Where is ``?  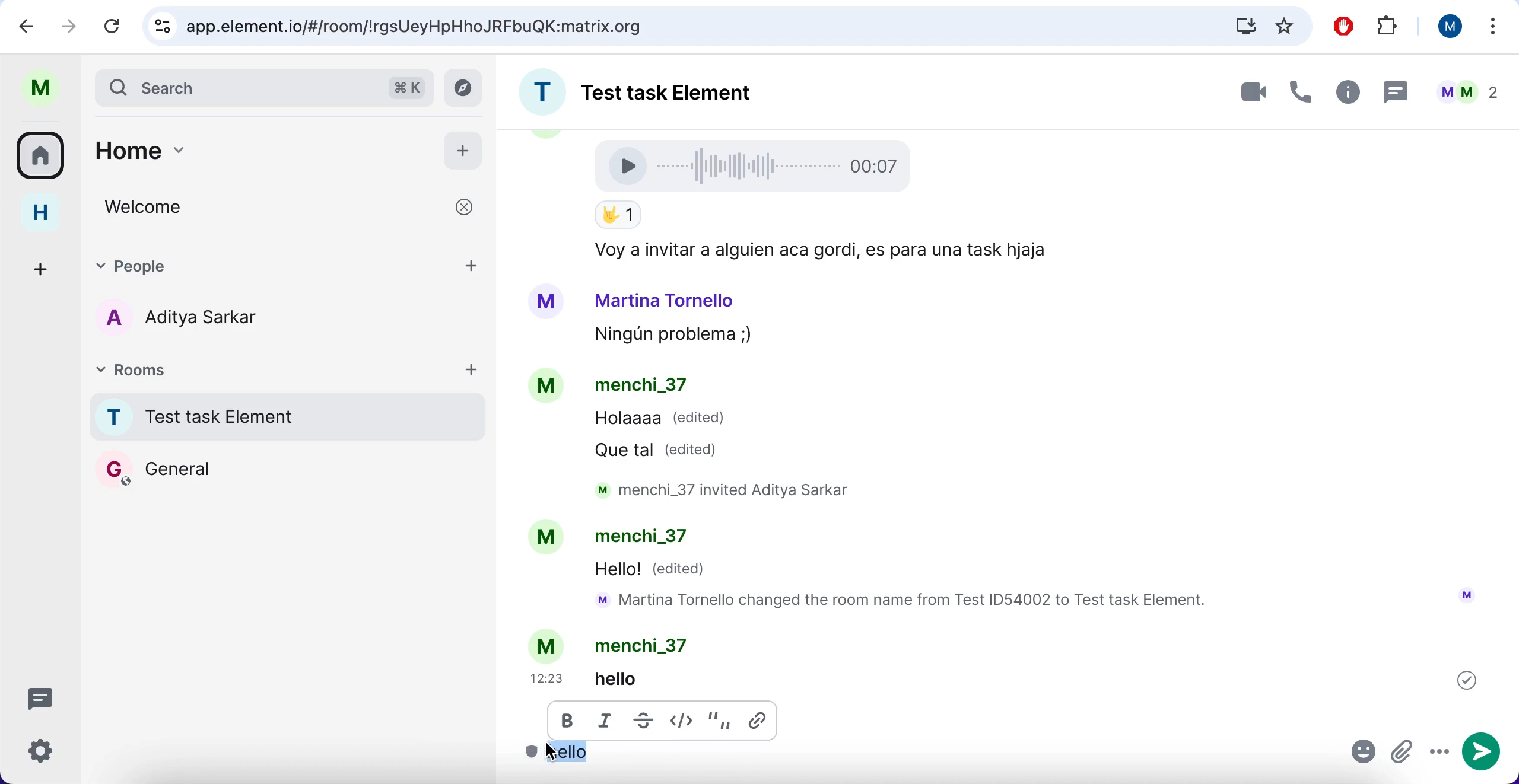
 is located at coordinates (1467, 680).